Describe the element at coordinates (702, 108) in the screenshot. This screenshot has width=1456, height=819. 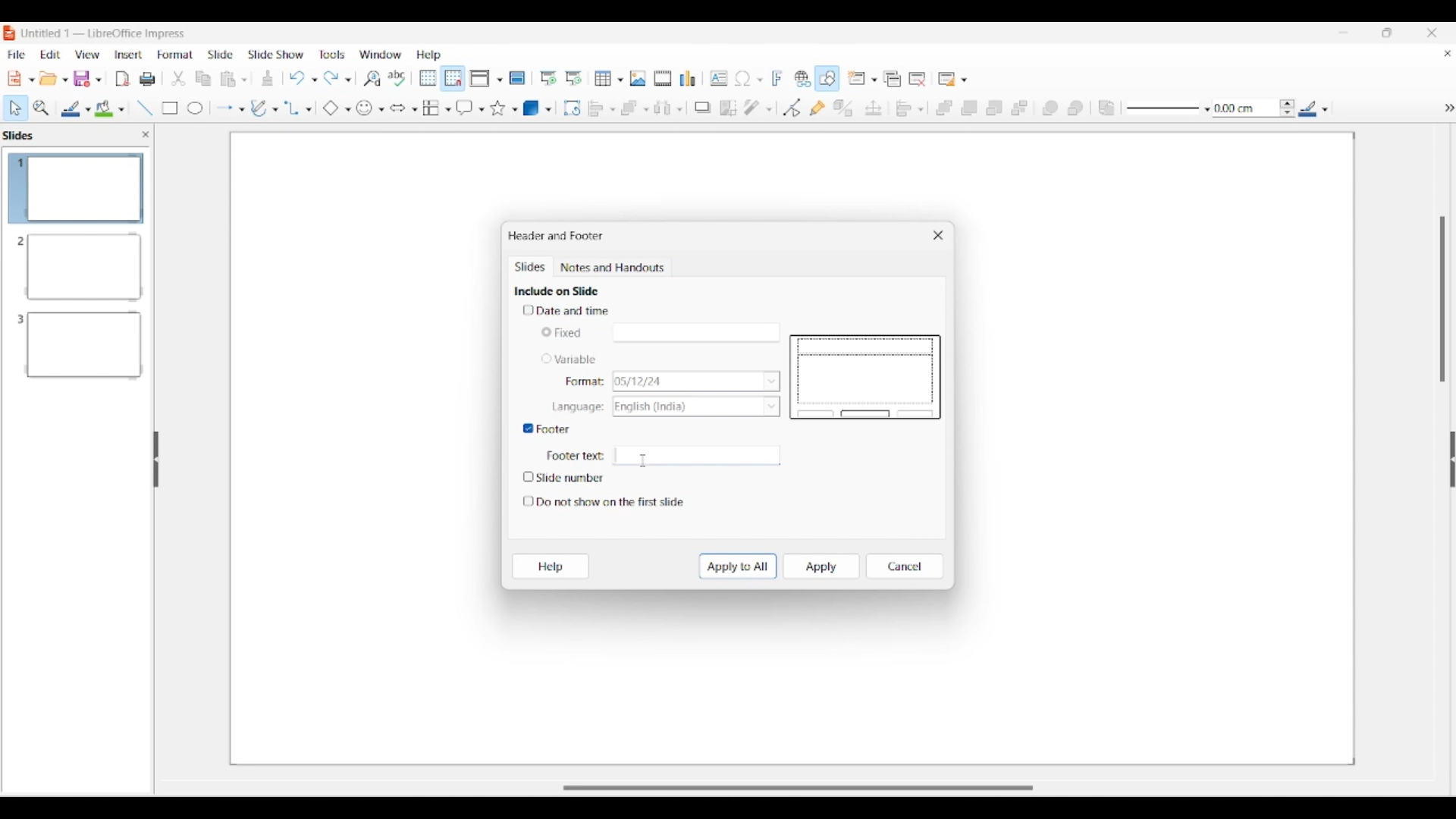
I see `Shadow` at that location.